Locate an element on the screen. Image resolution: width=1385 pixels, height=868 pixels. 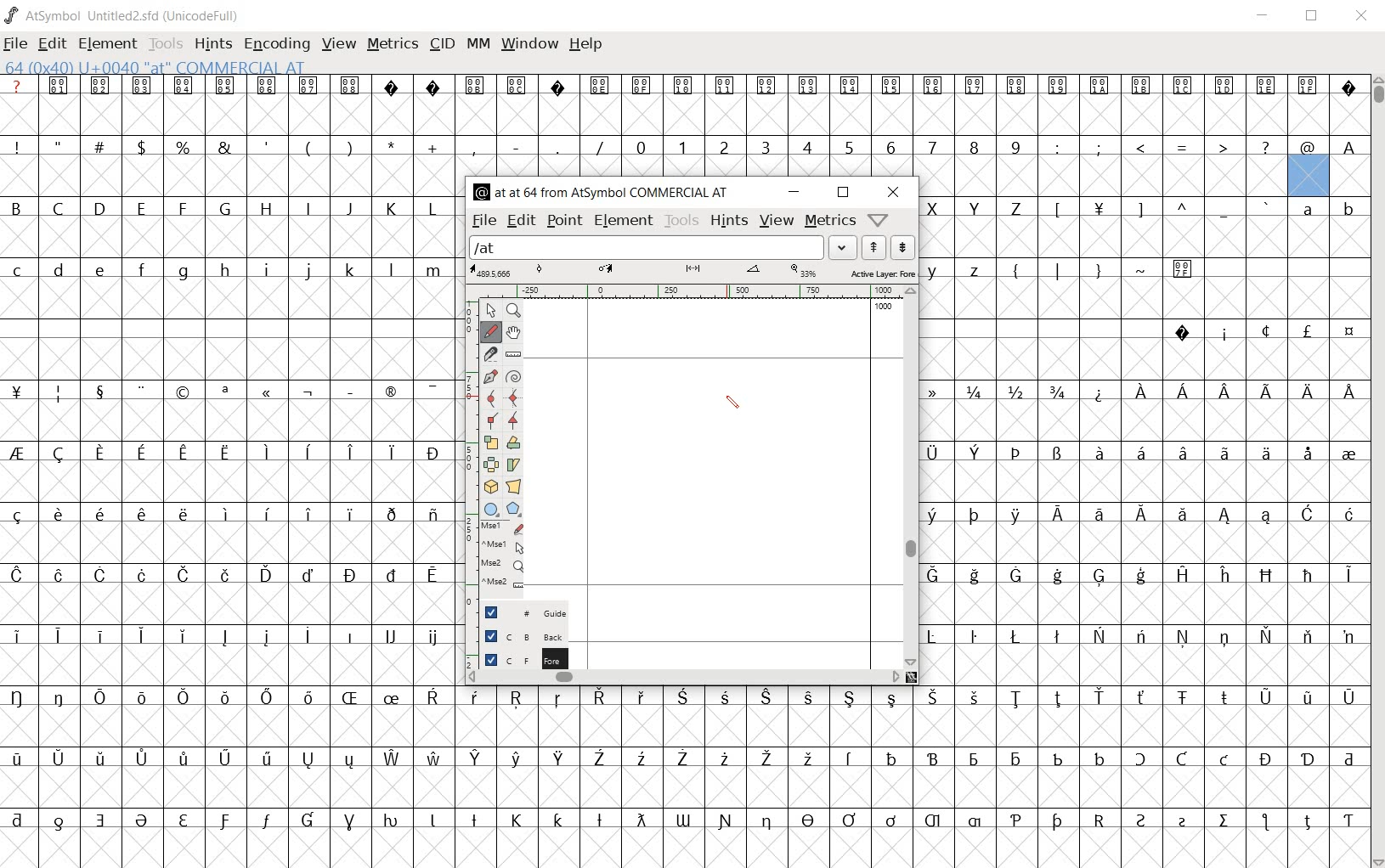
background is located at coordinates (540, 635).